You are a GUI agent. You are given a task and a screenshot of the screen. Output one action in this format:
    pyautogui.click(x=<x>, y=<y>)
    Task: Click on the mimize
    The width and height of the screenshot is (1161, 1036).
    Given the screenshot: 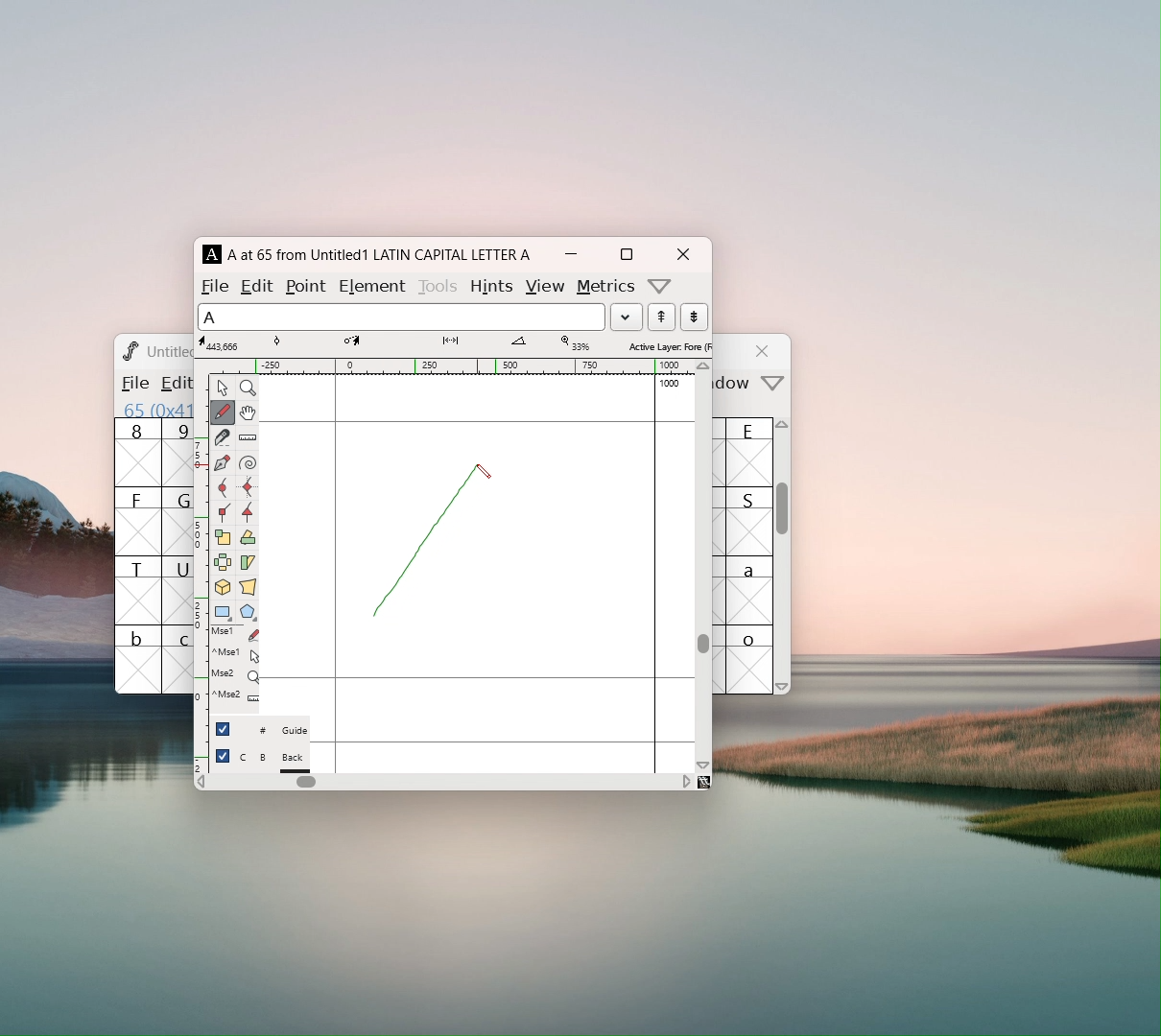 What is the action you would take?
    pyautogui.click(x=571, y=254)
    